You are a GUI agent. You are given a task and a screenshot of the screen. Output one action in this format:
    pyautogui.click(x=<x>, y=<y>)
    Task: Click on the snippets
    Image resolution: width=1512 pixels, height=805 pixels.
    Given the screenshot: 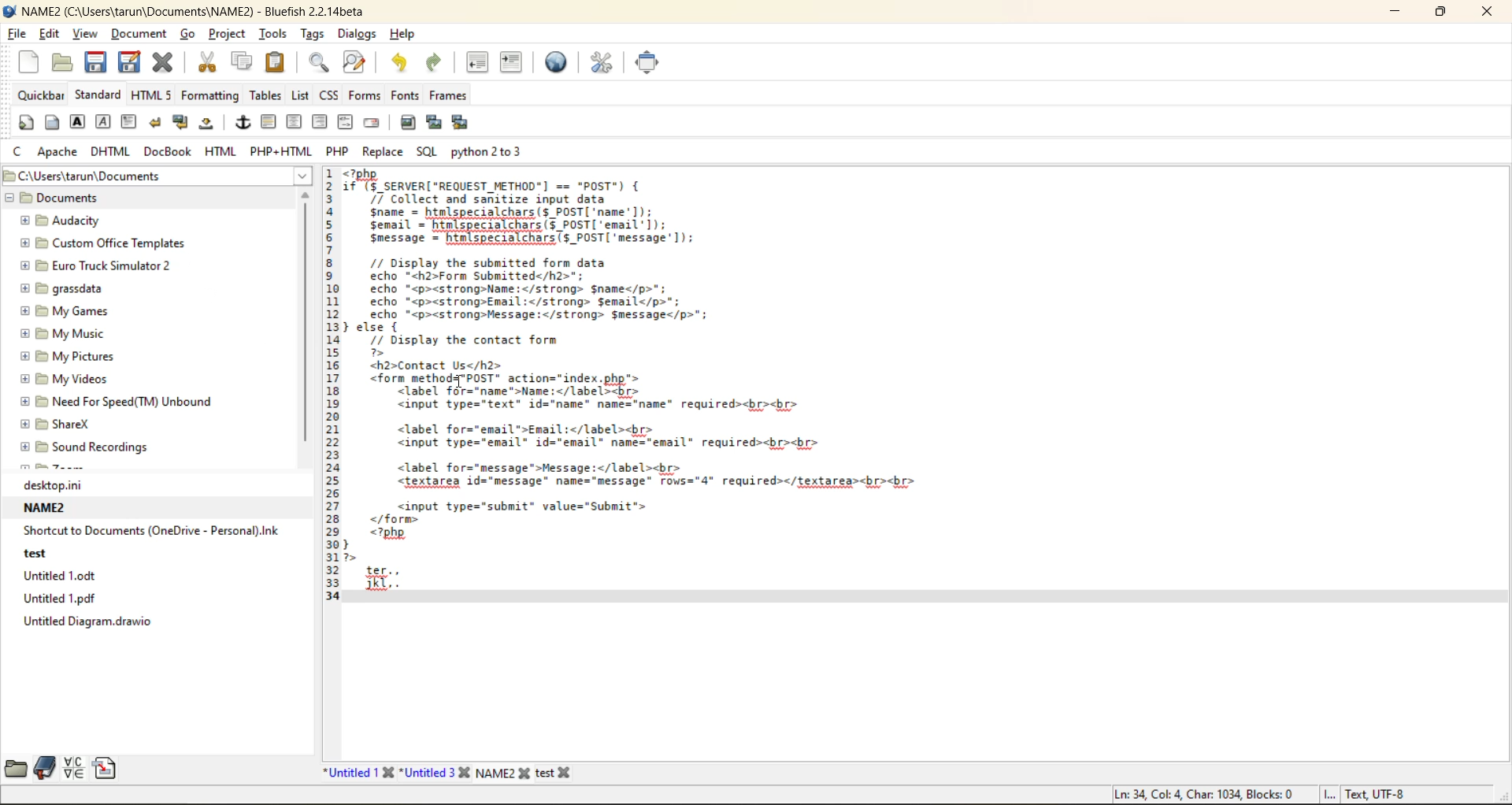 What is the action you would take?
    pyautogui.click(x=104, y=766)
    